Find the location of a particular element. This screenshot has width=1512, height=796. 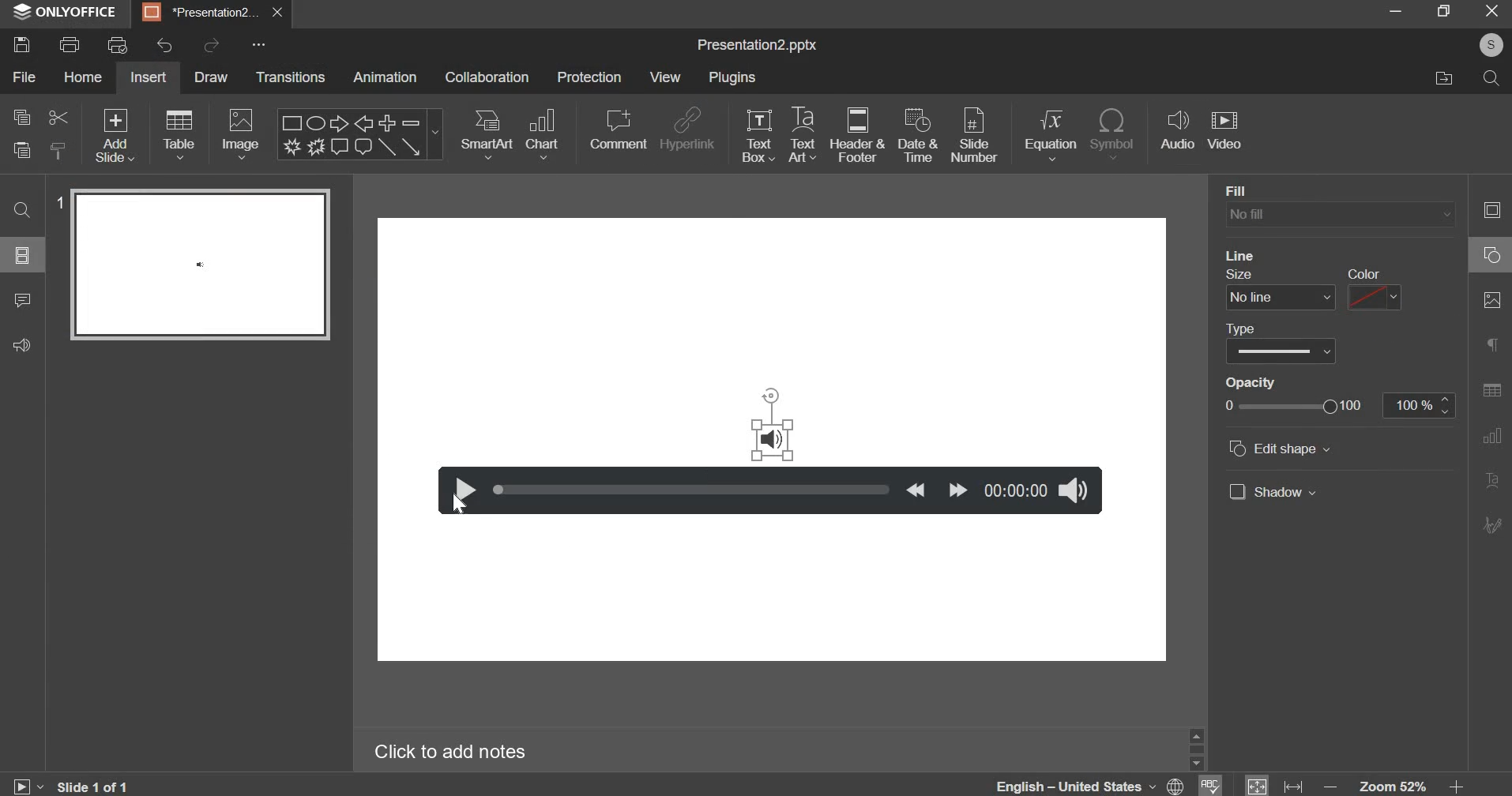

increase/decrease opacity is located at coordinates (1445, 405).